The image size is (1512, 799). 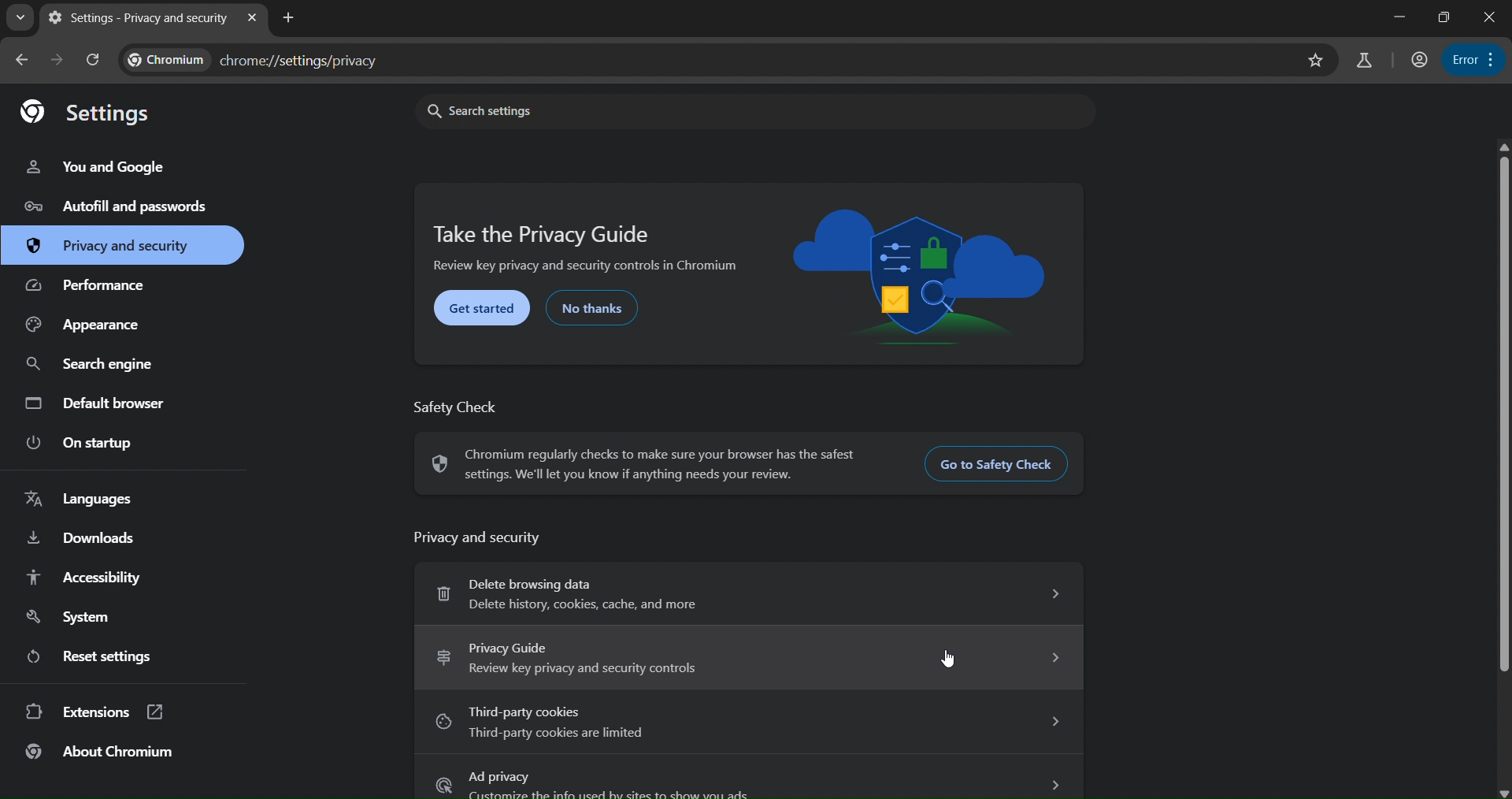 I want to click on search engine, so click(x=93, y=368).